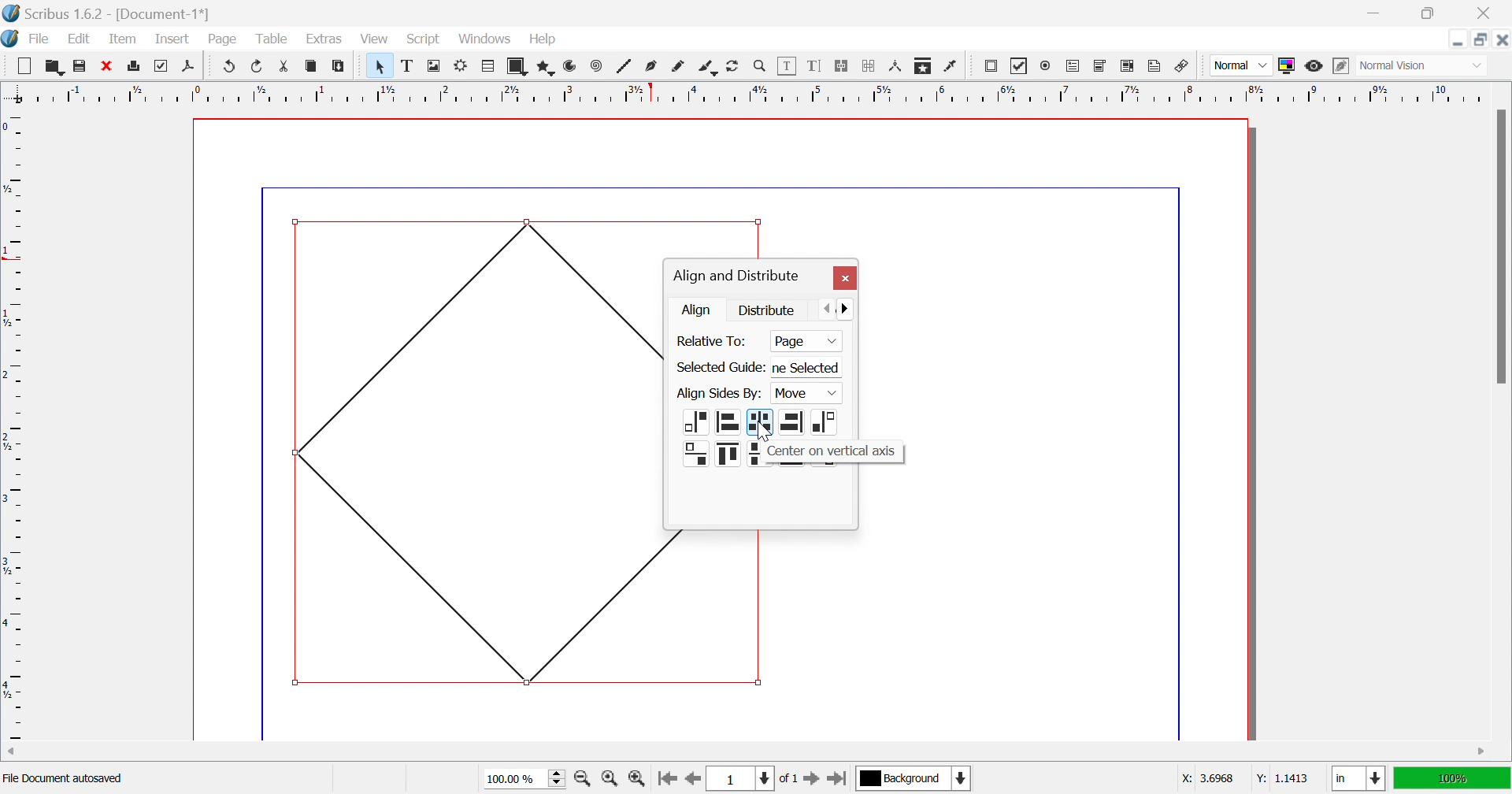 The image size is (1512, 794). Describe the element at coordinates (270, 39) in the screenshot. I see `Table` at that location.